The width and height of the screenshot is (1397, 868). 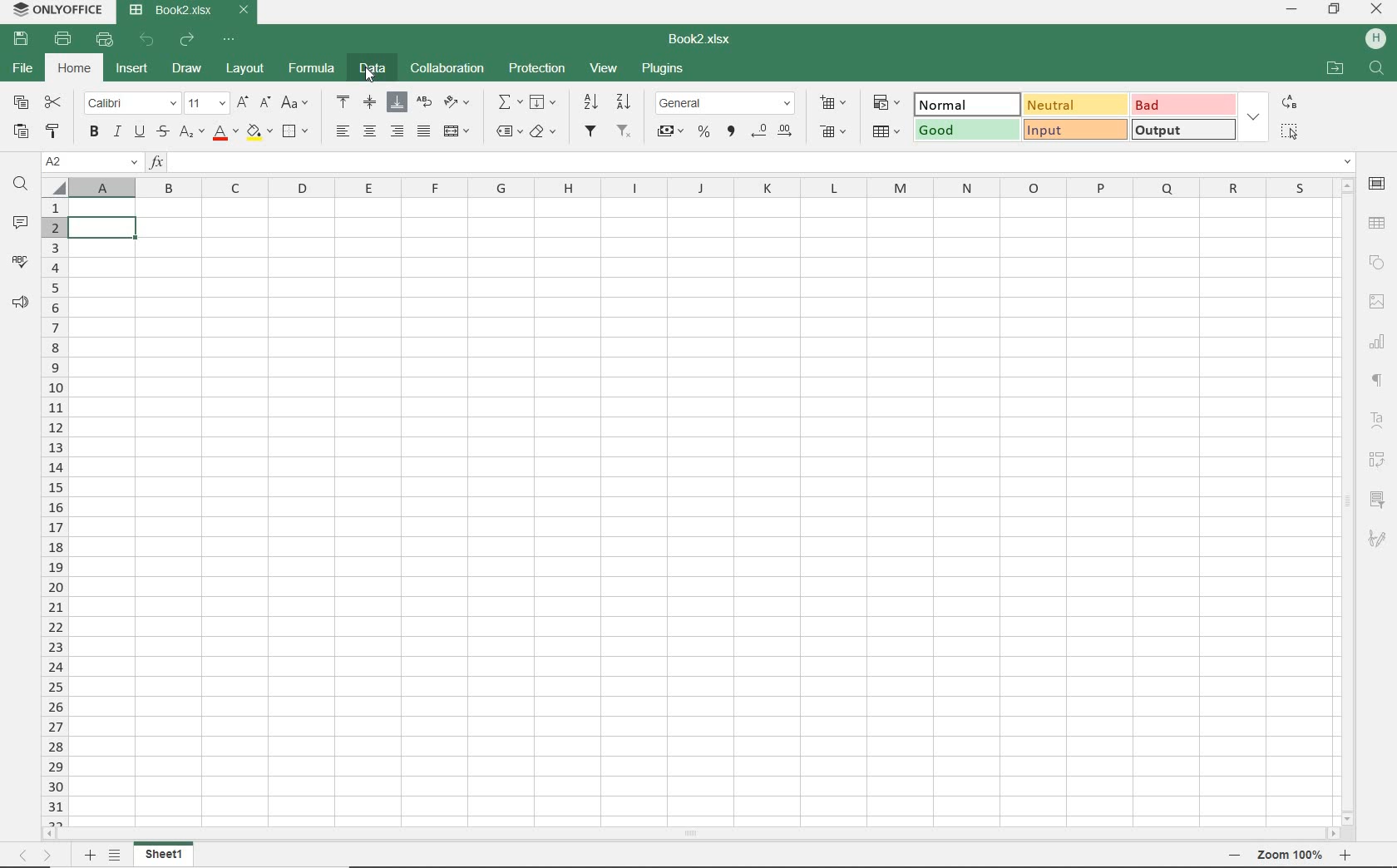 I want to click on INPUT, so click(x=1075, y=131).